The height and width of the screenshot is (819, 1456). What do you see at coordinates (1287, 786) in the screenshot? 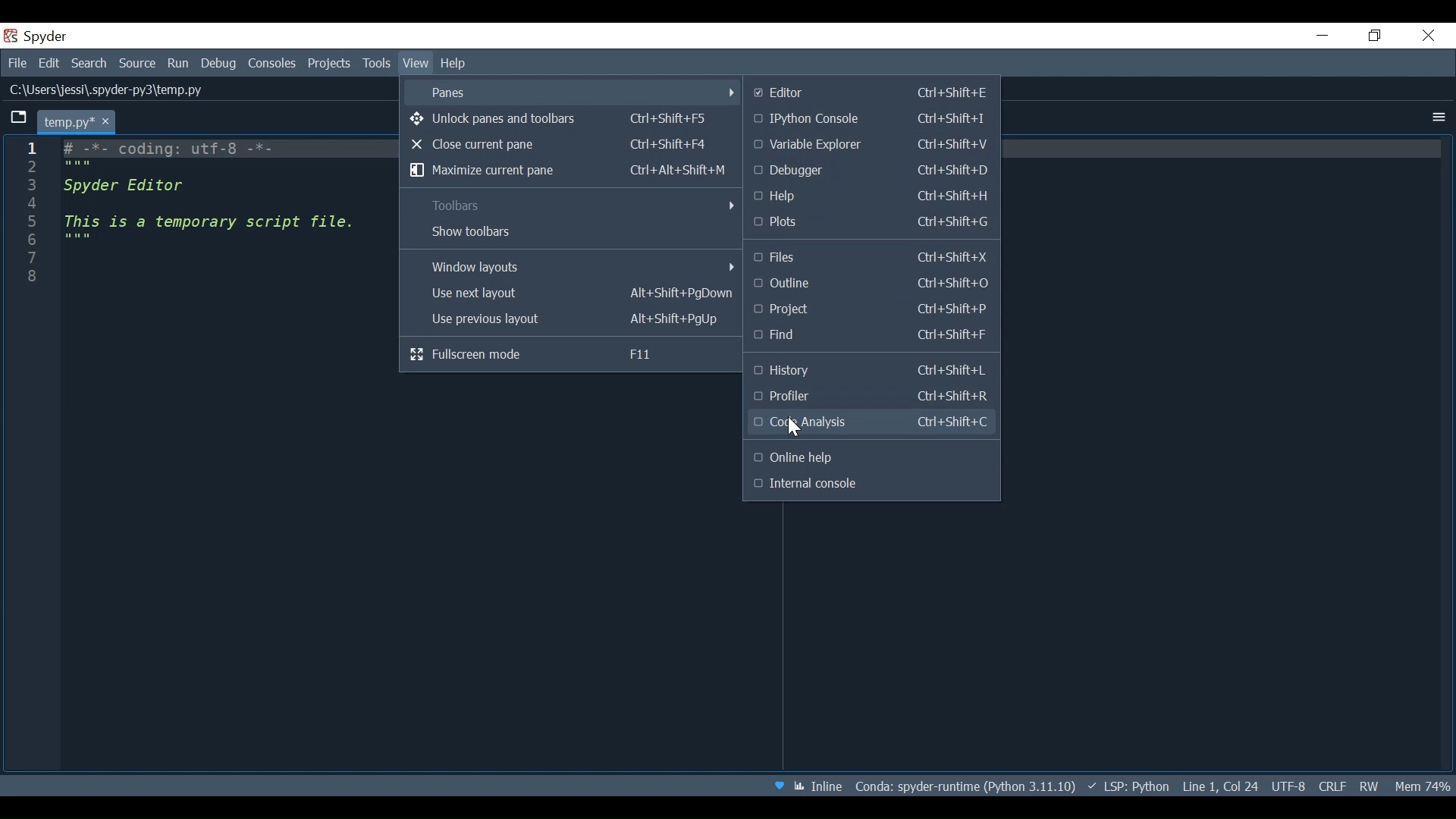
I see `File Encoding` at bounding box center [1287, 786].